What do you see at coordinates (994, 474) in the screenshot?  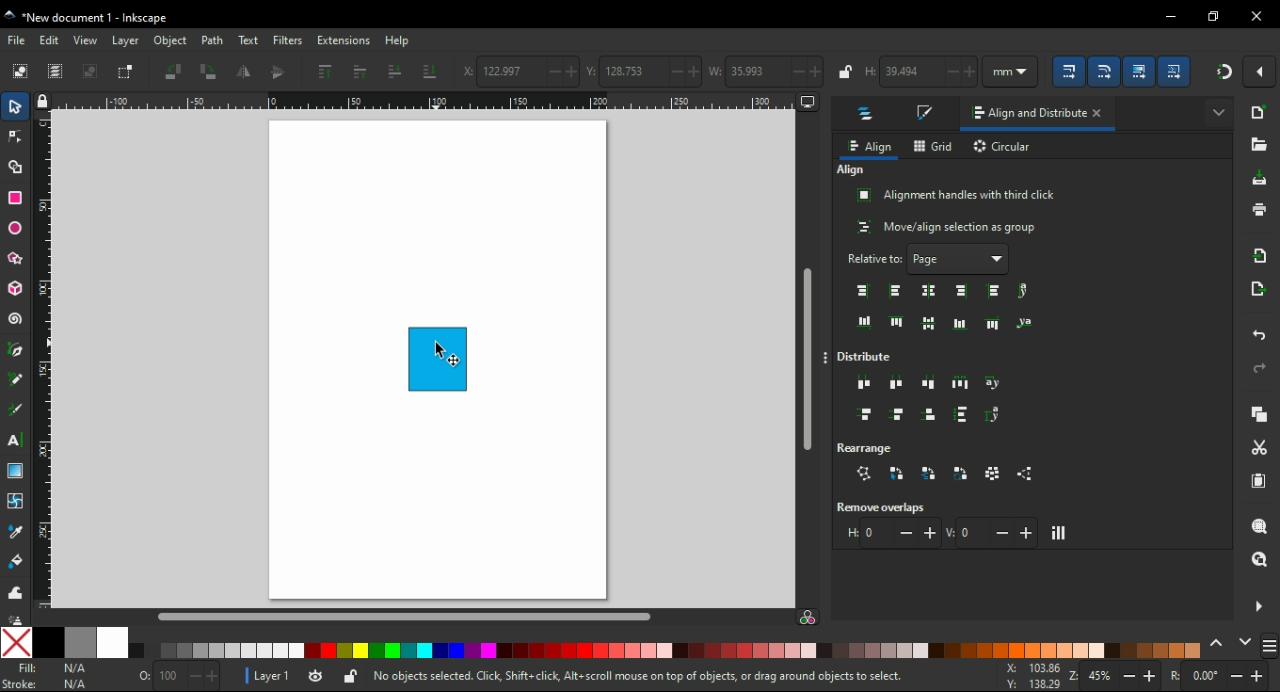 I see `randomize centers in both directions` at bounding box center [994, 474].